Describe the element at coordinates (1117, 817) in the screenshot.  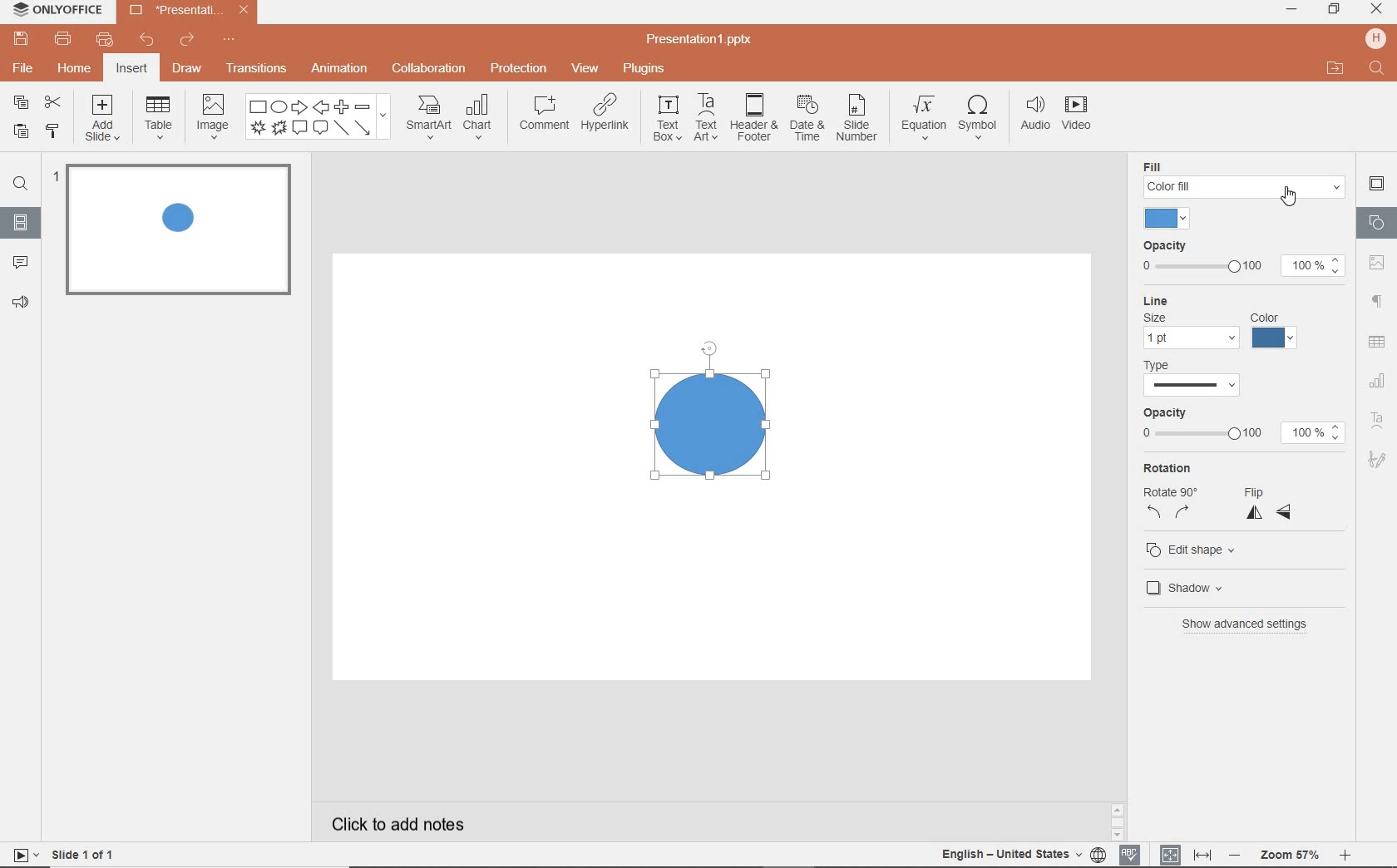
I see `scrollbar` at that location.